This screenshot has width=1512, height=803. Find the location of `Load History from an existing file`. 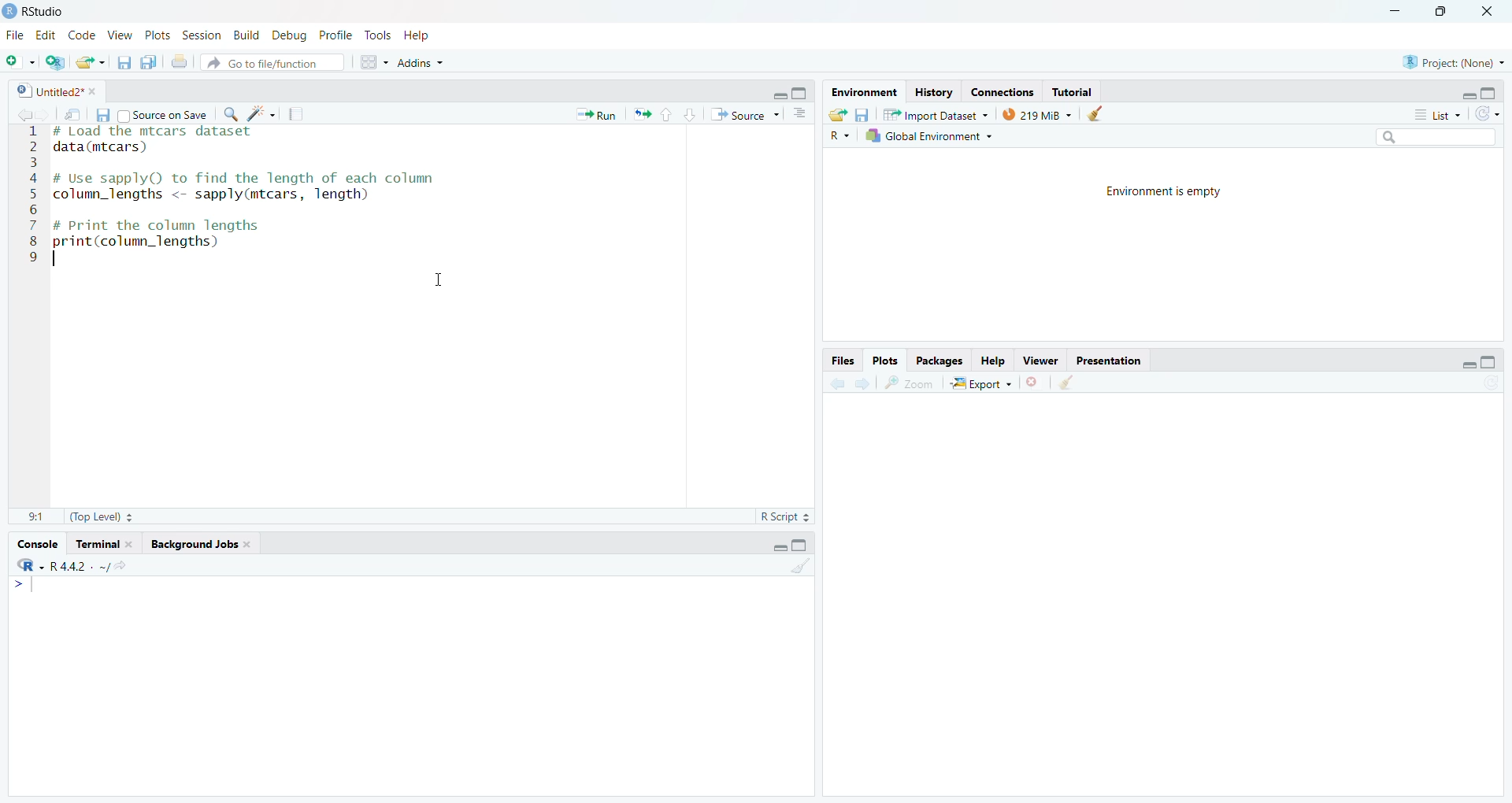

Load History from an existing file is located at coordinates (838, 115).